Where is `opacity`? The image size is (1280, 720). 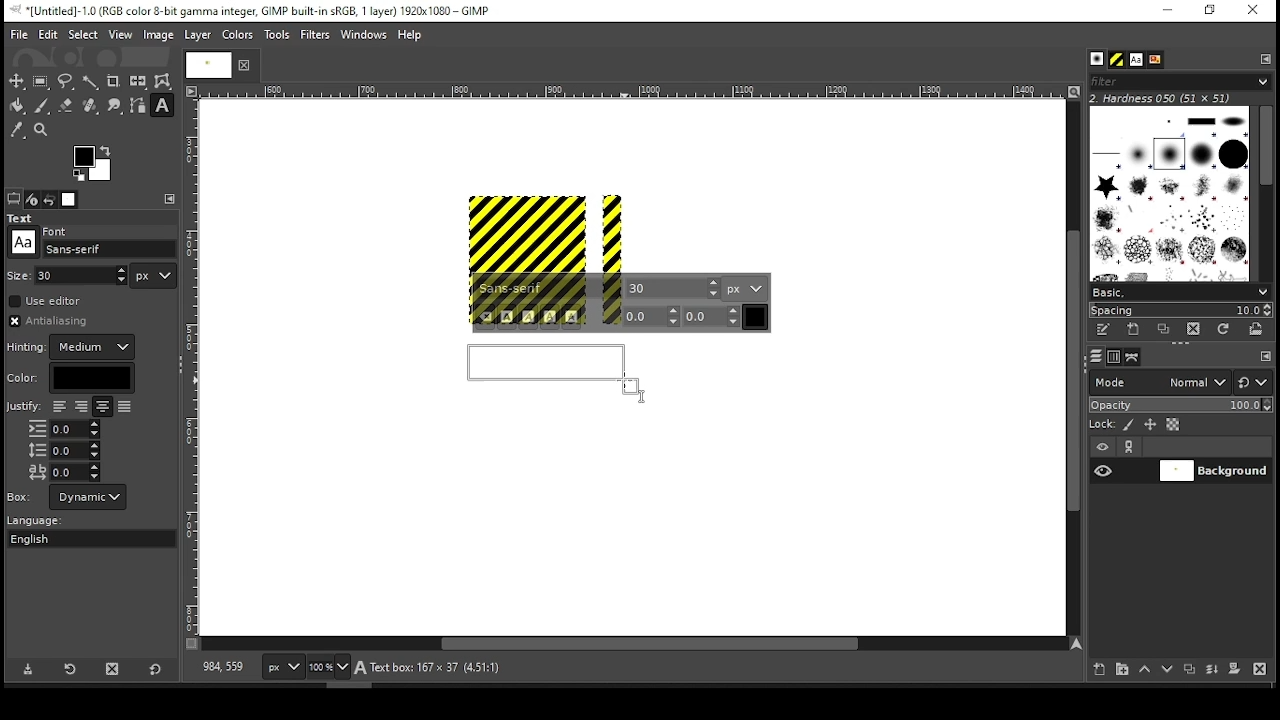
opacity is located at coordinates (1179, 407).